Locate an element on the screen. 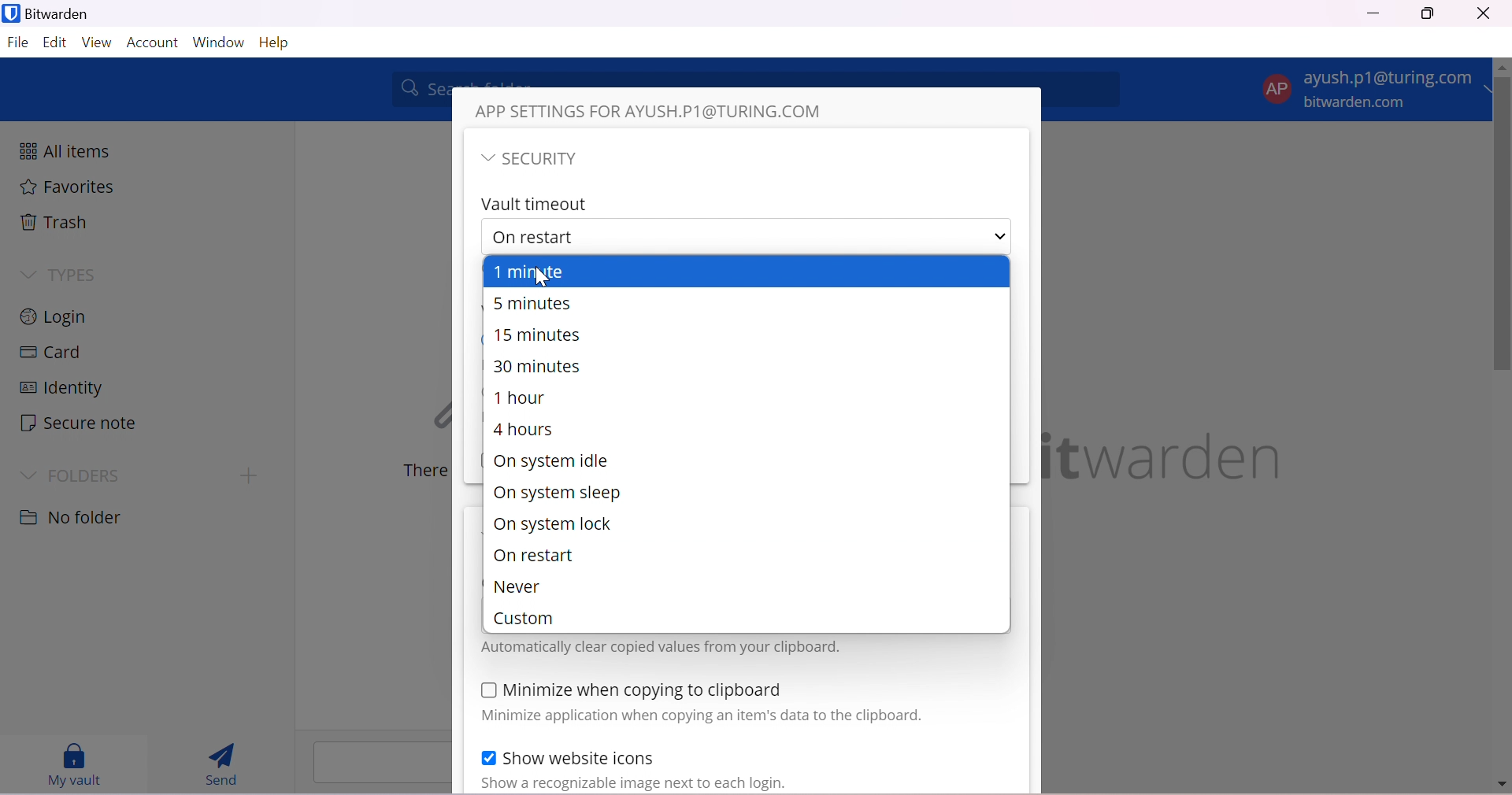  30 minutes is located at coordinates (540, 368).